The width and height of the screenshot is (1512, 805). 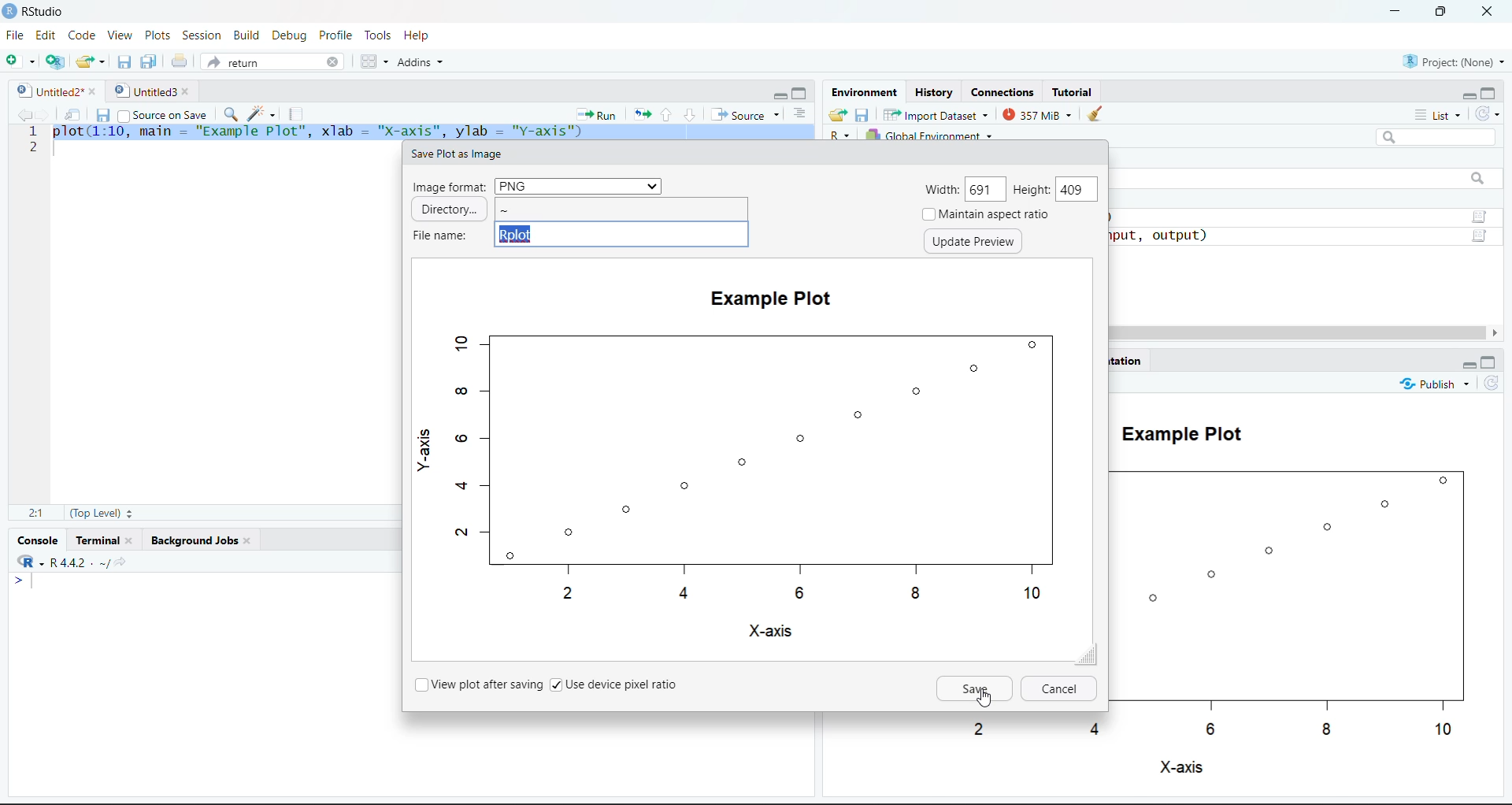 I want to click on Open an existing file (Ctrl + O), so click(x=89, y=62).